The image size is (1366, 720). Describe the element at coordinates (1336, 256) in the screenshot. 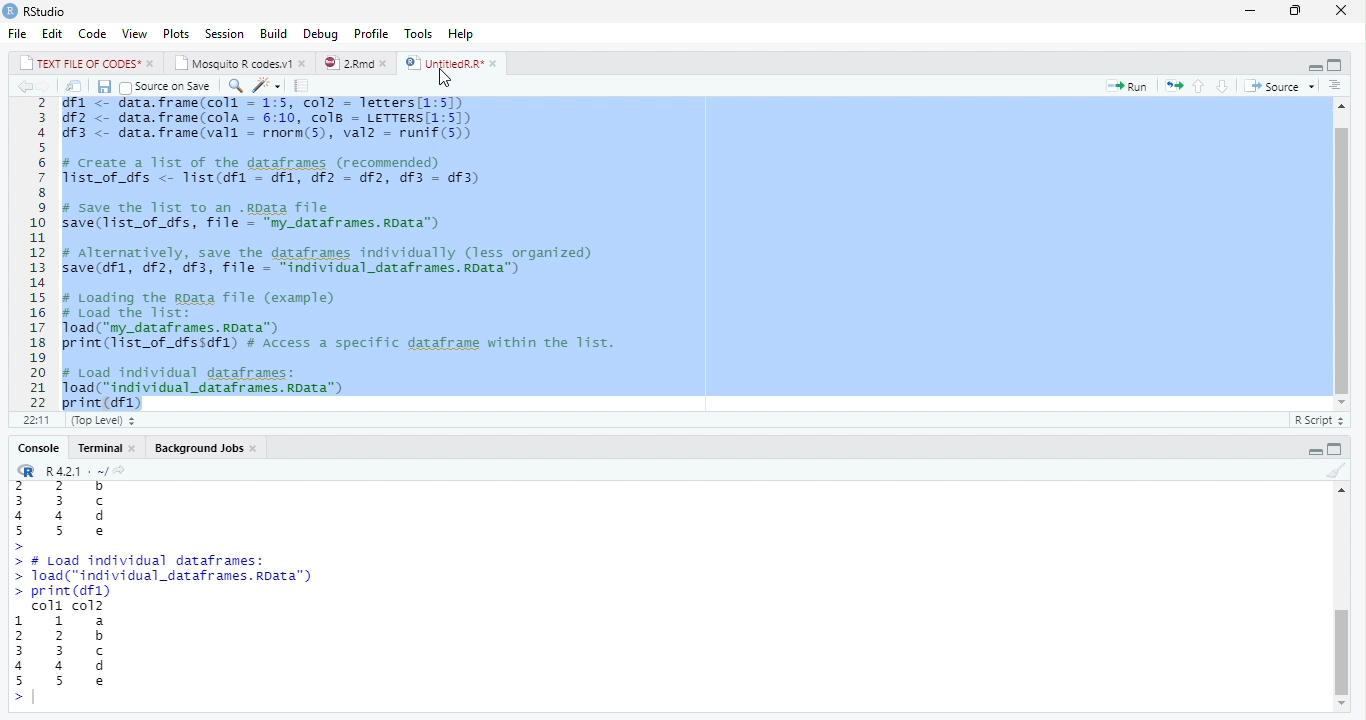

I see `vertical scroll bar` at that location.